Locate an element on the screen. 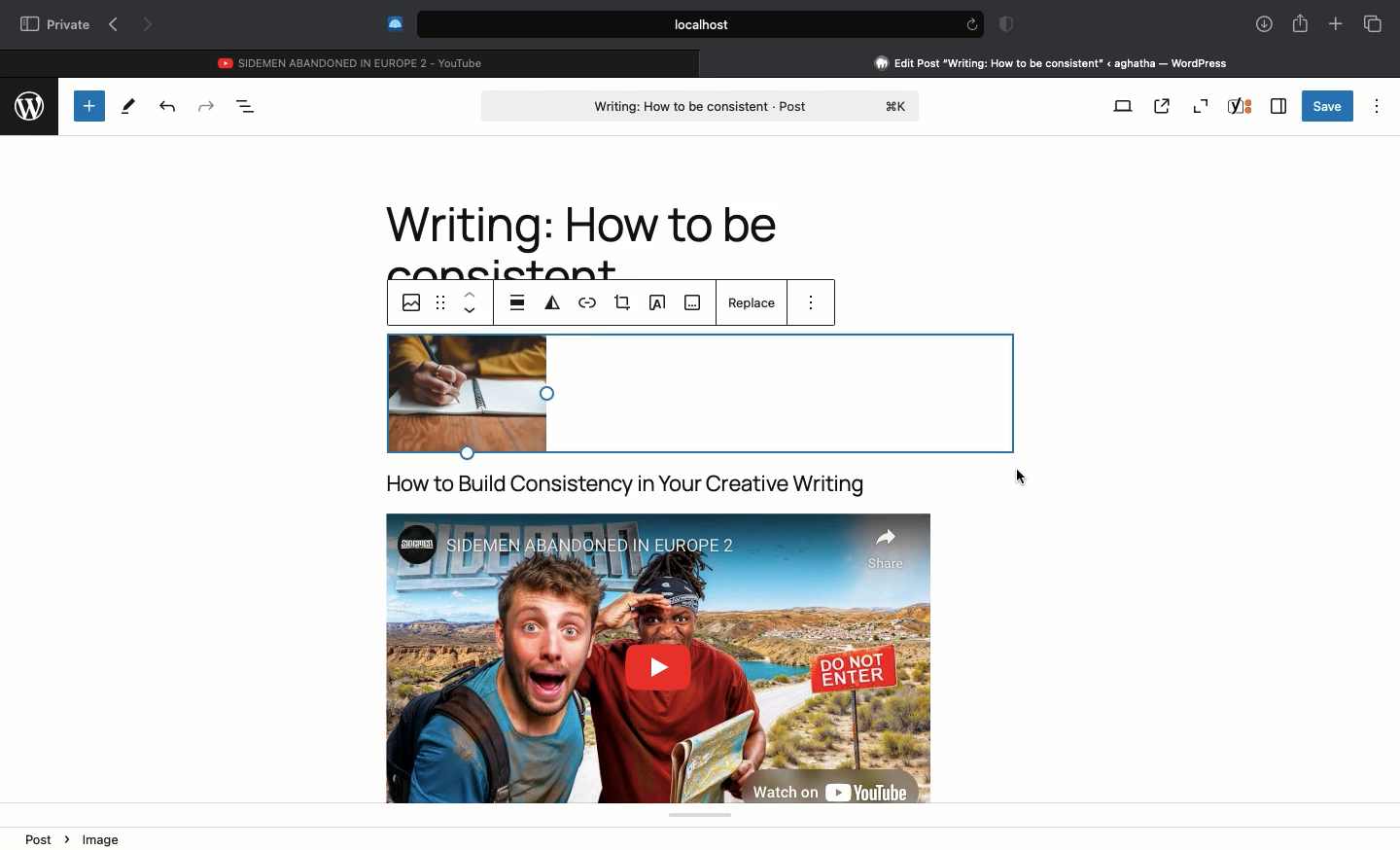 The height and width of the screenshot is (850, 1400). image is located at coordinates (410, 301).